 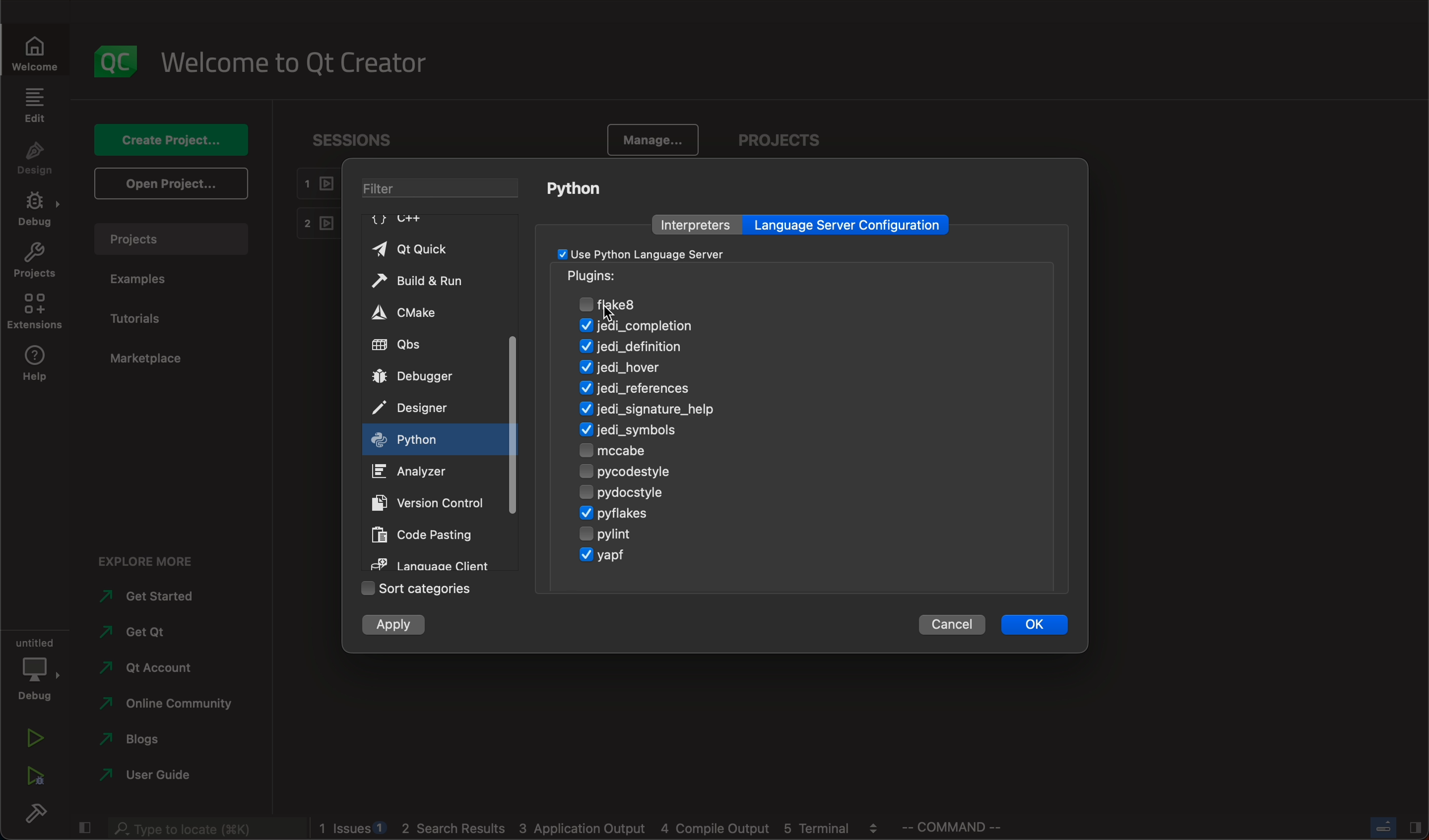 What do you see at coordinates (949, 623) in the screenshot?
I see `cancel` at bounding box center [949, 623].